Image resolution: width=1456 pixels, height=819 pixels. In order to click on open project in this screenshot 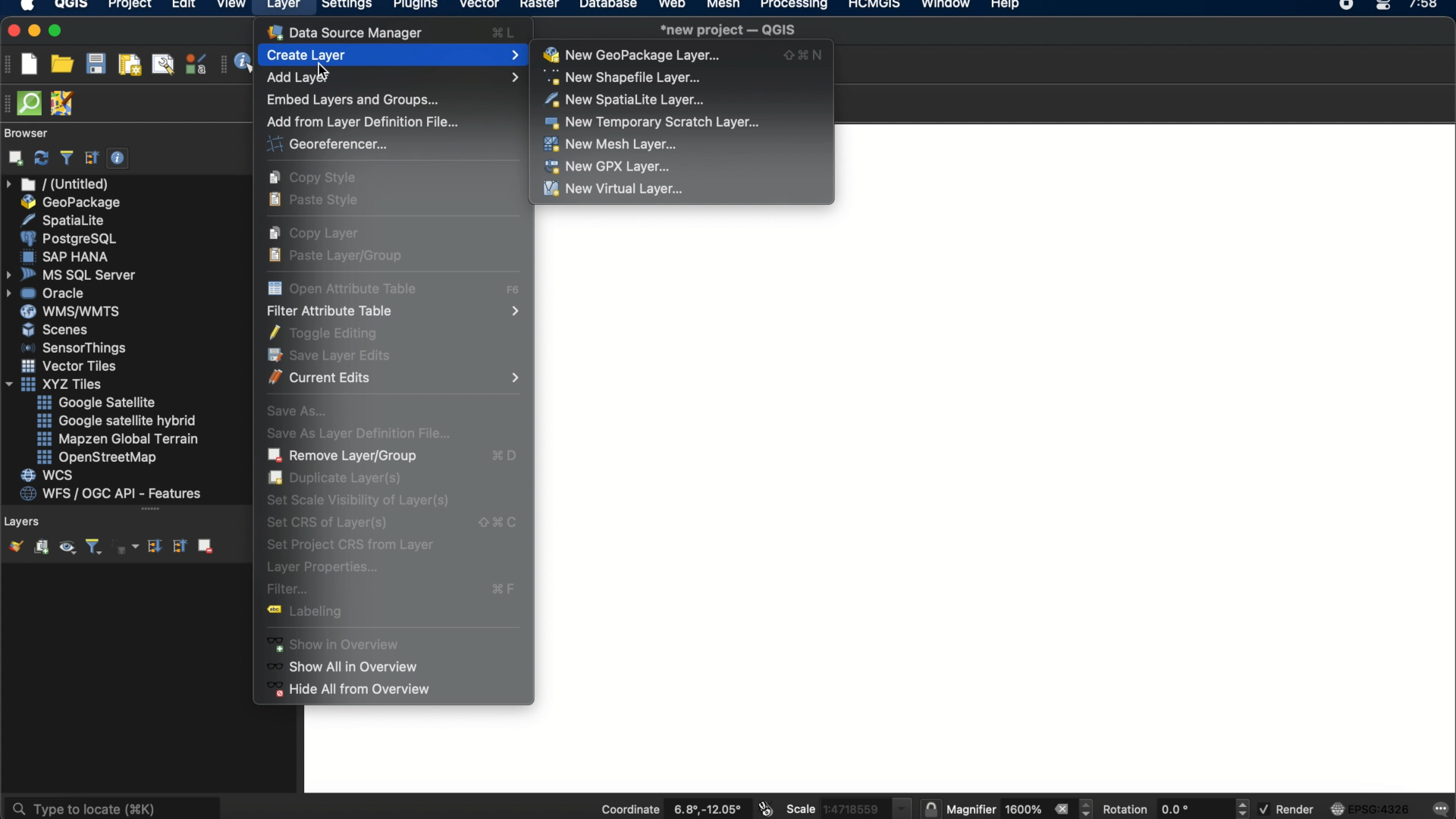, I will do `click(61, 64)`.